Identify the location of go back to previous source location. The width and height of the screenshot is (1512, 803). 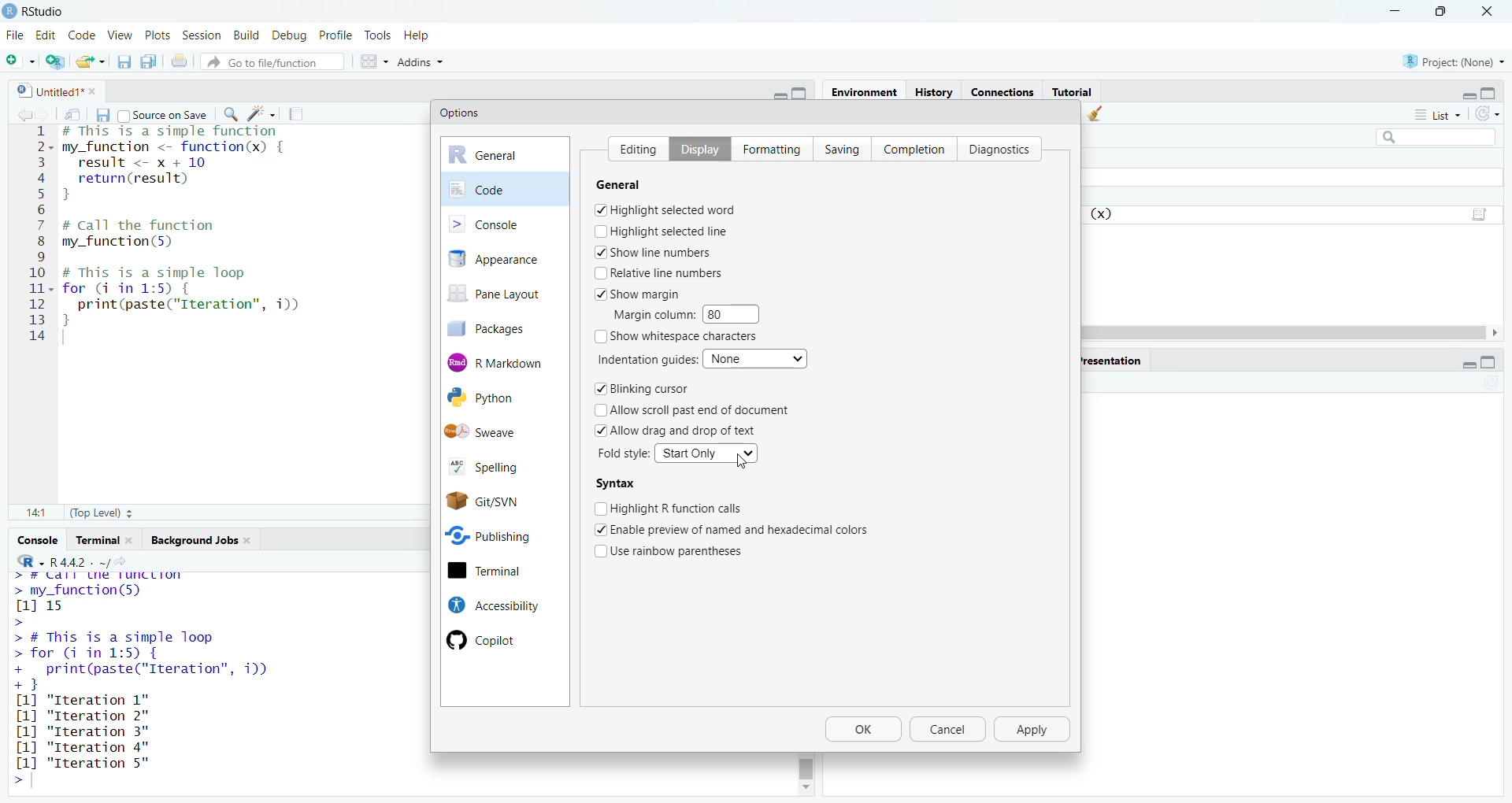
(17, 113).